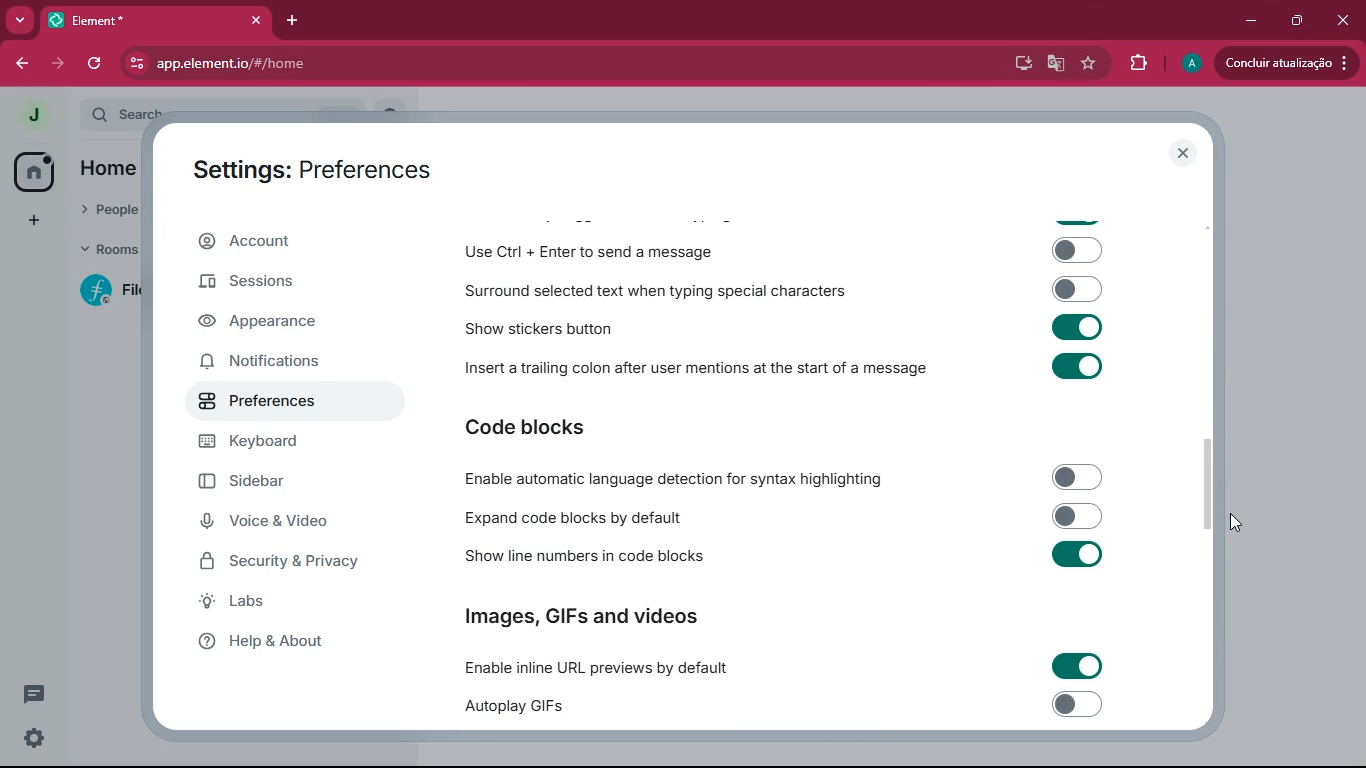 Image resolution: width=1366 pixels, height=768 pixels. I want to click on Surround selected text when typing special characters, so click(780, 290).